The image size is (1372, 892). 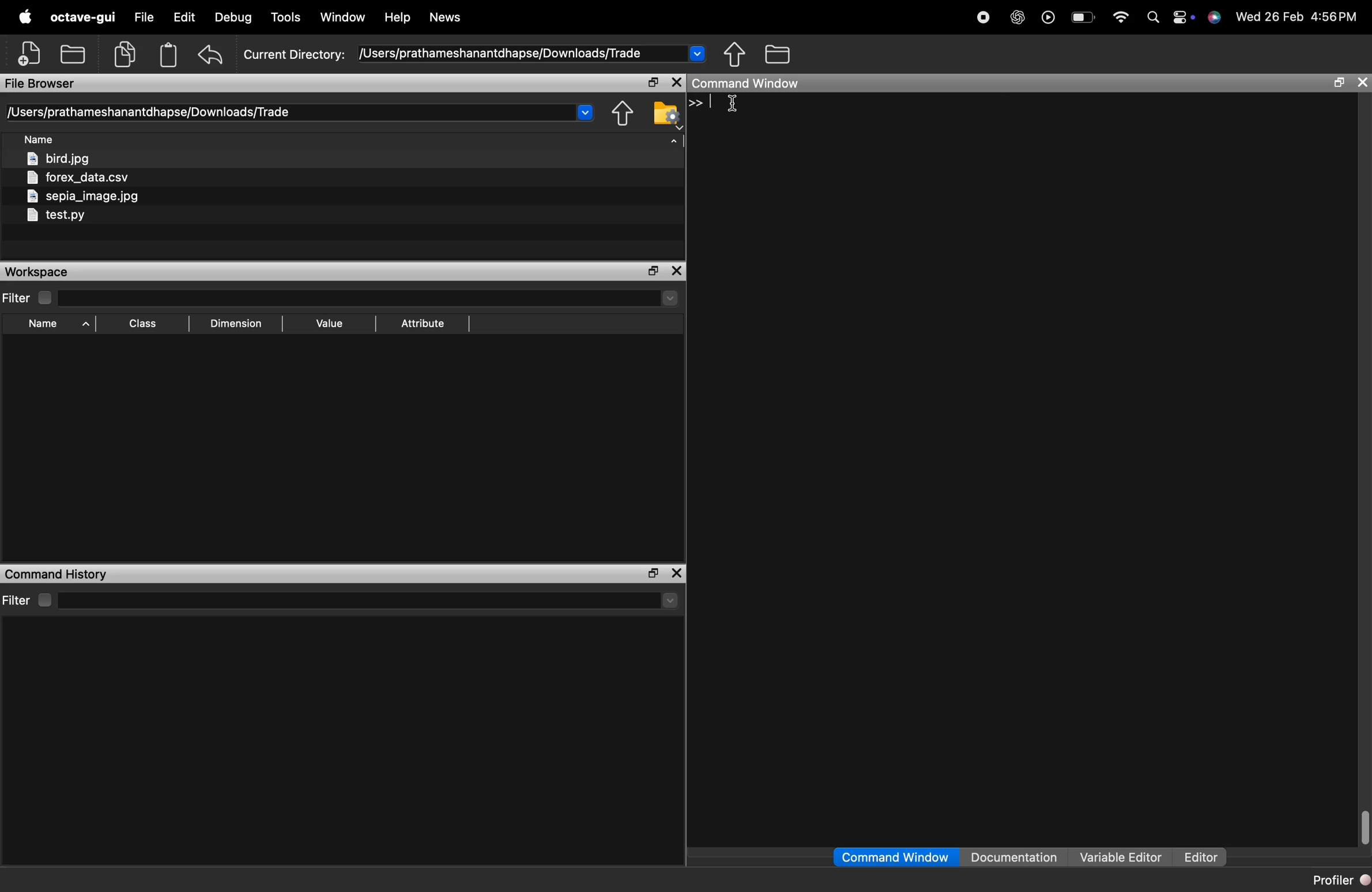 What do you see at coordinates (621, 114) in the screenshot?
I see `share` at bounding box center [621, 114].